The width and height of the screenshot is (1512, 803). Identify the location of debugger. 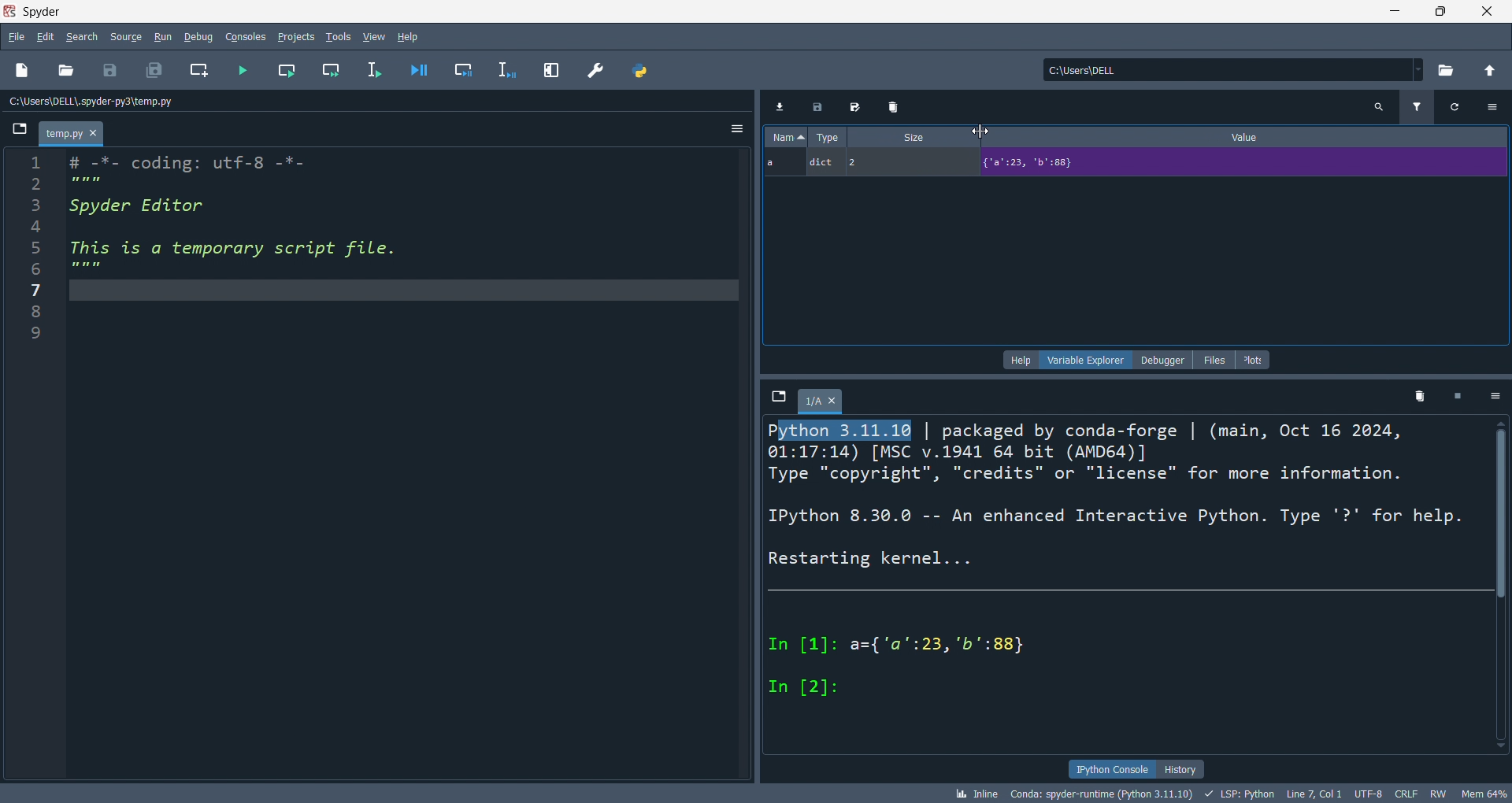
(1160, 361).